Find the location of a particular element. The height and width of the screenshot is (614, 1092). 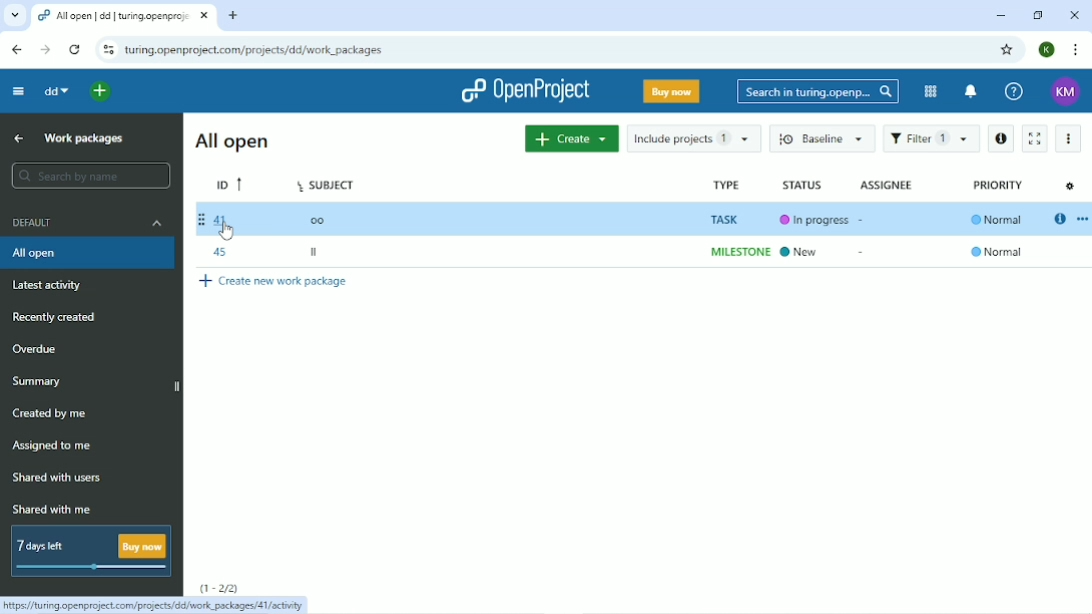

Select a project is located at coordinates (86, 93).